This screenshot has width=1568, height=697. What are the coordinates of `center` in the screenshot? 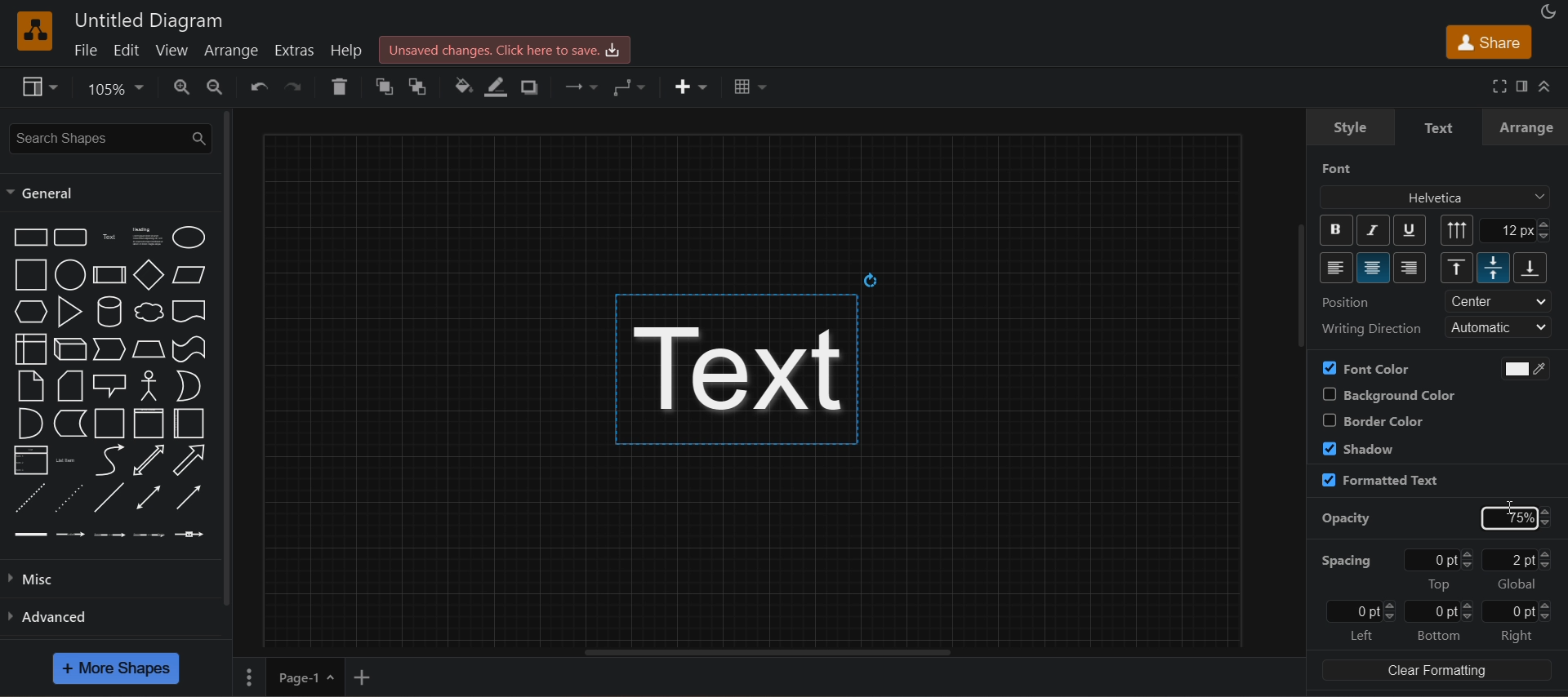 It's located at (1374, 268).